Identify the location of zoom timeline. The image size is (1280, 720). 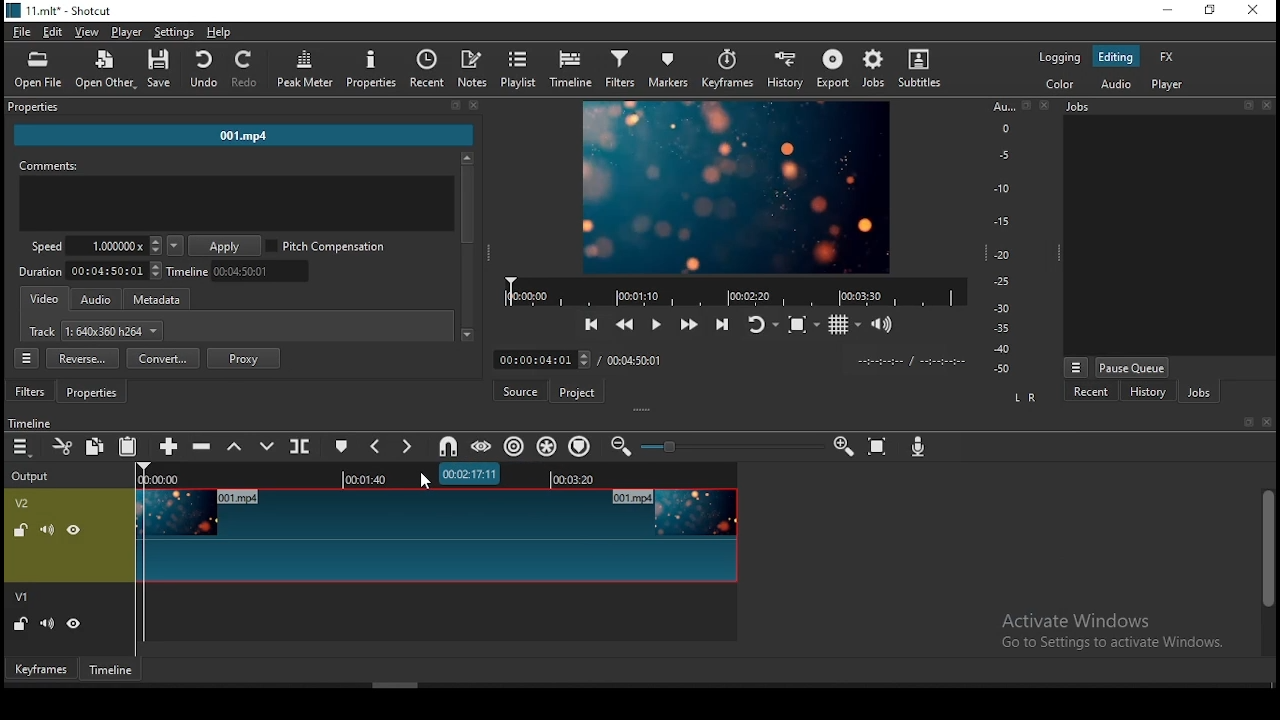
(845, 444).